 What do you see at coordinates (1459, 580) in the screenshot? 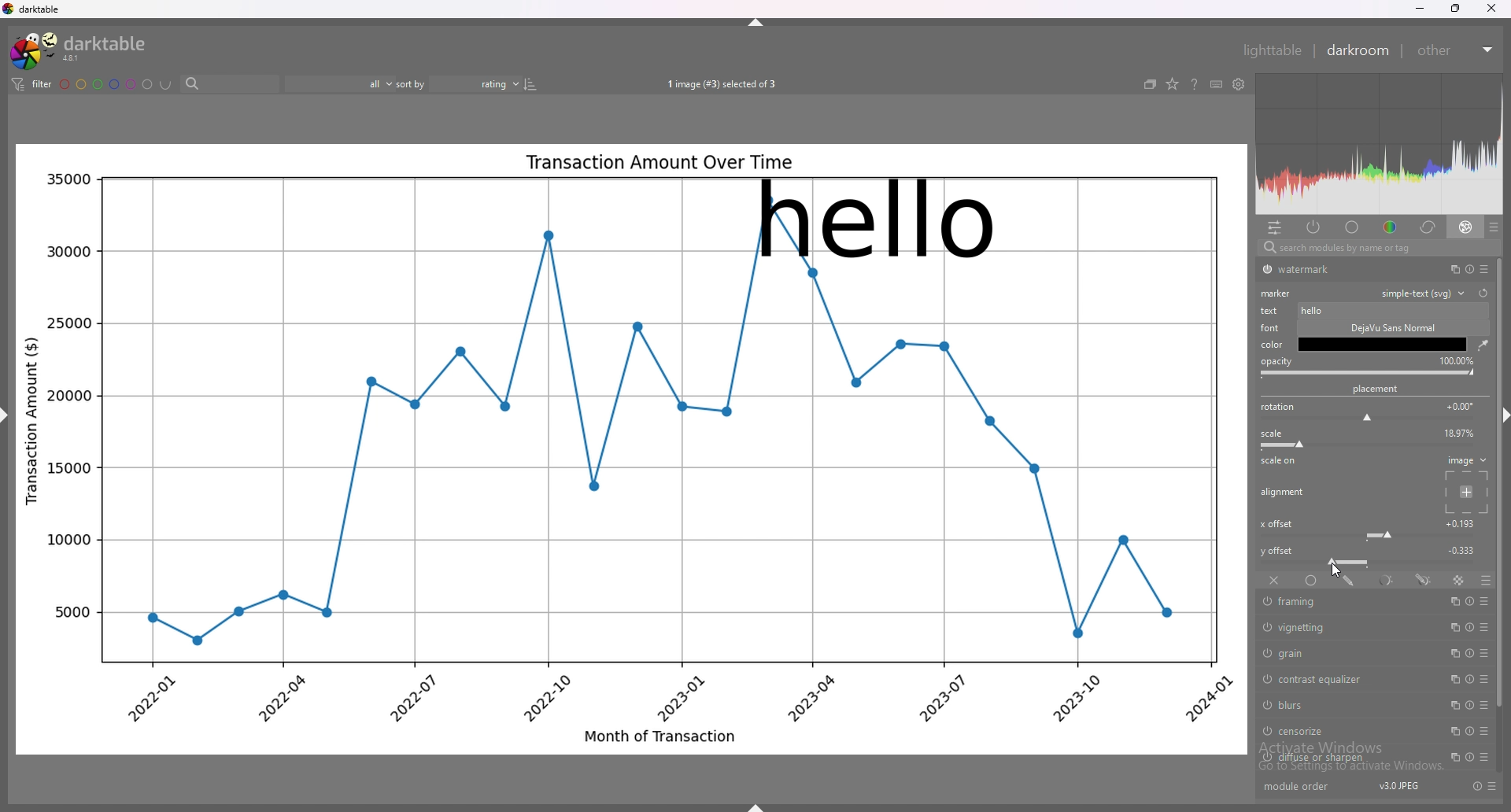
I see `raster mask` at bounding box center [1459, 580].